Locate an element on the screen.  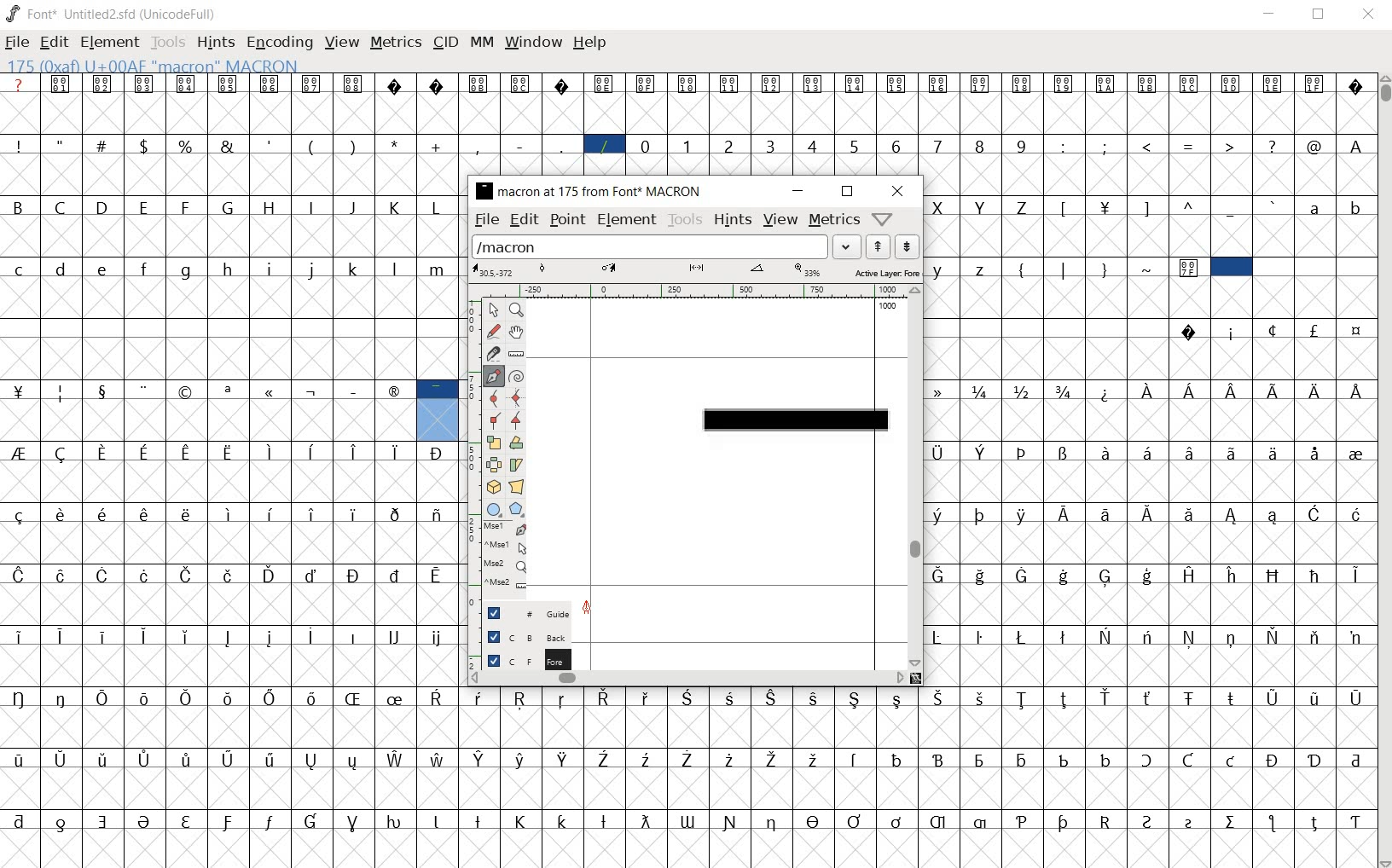
Symbol is located at coordinates (1315, 389).